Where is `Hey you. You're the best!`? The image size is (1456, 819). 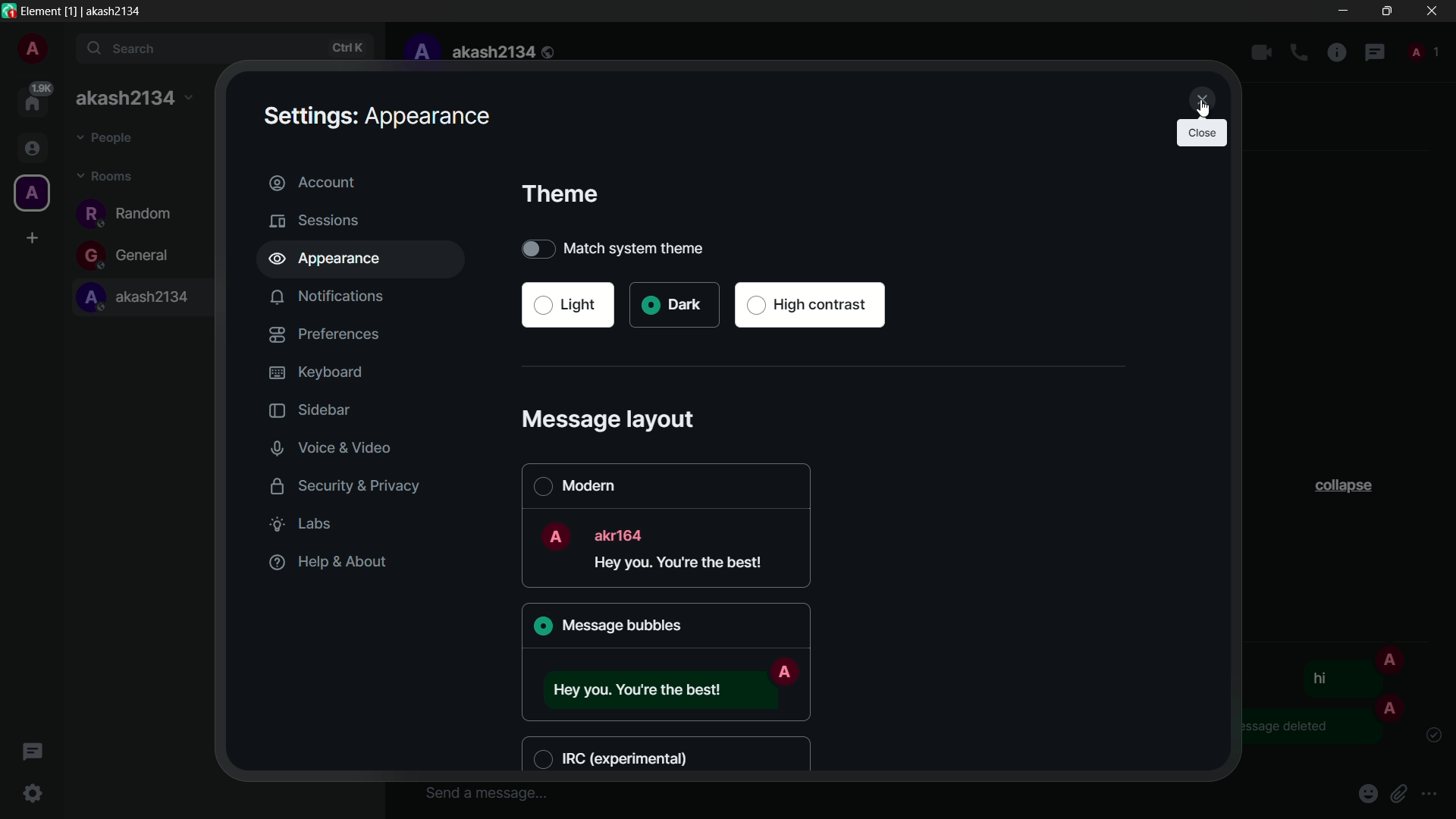 Hey you. You're the best! is located at coordinates (684, 565).